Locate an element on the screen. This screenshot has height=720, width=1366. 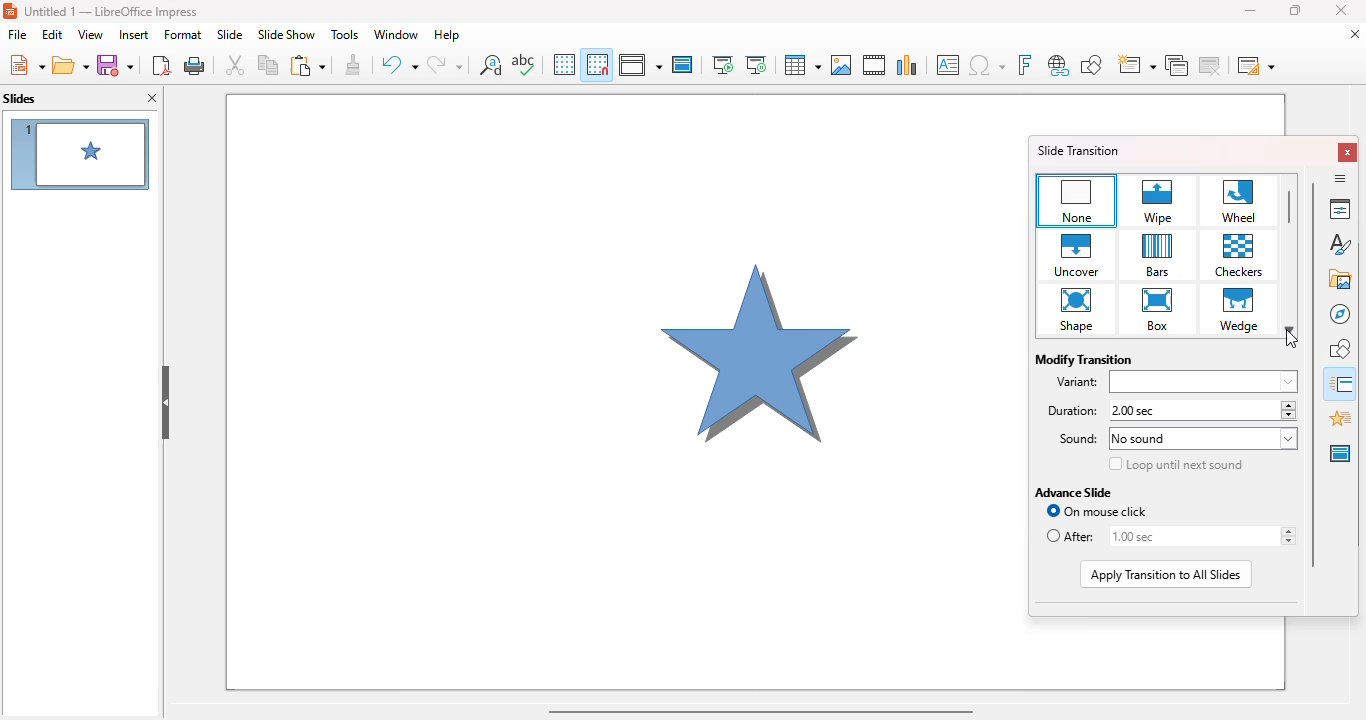
clone formatting is located at coordinates (354, 64).